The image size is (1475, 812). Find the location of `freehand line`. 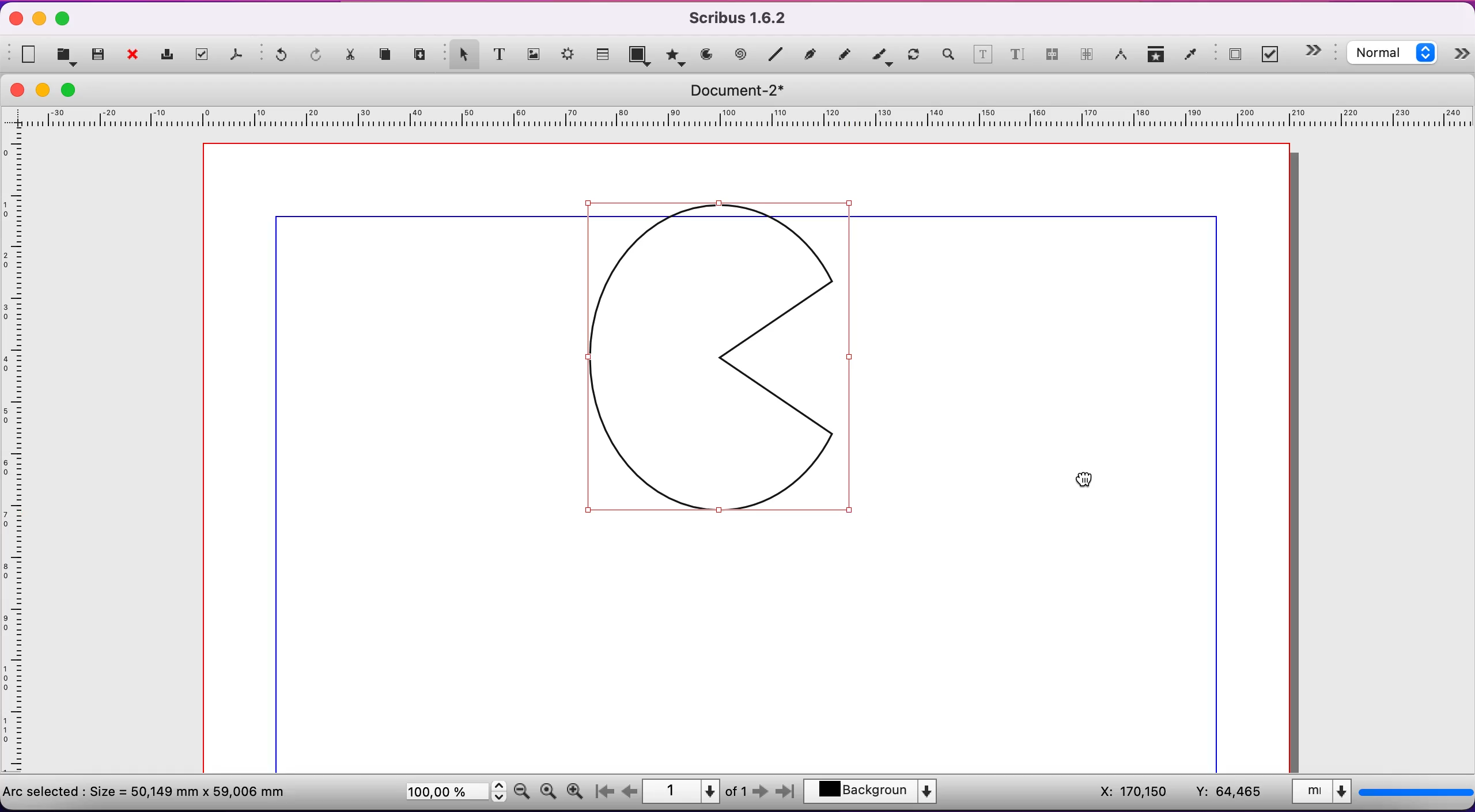

freehand line is located at coordinates (845, 54).